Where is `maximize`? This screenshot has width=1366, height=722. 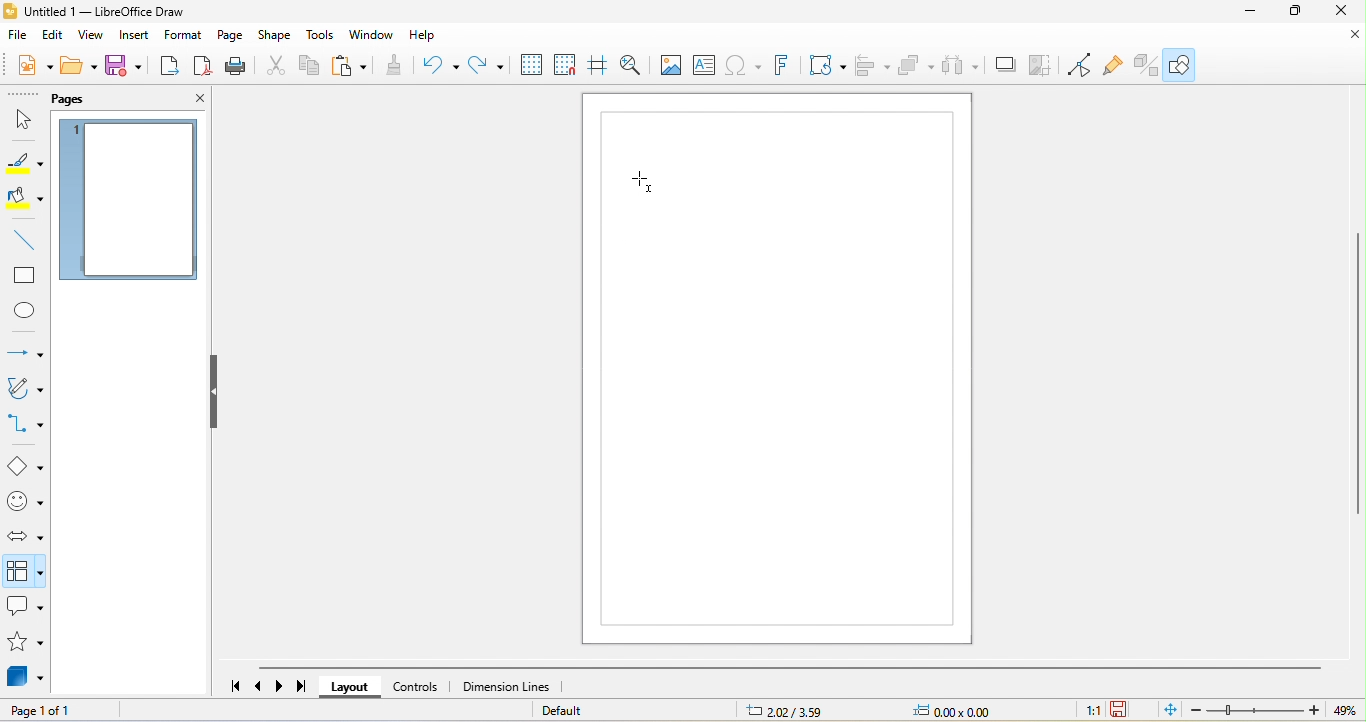
maximize is located at coordinates (1298, 14).